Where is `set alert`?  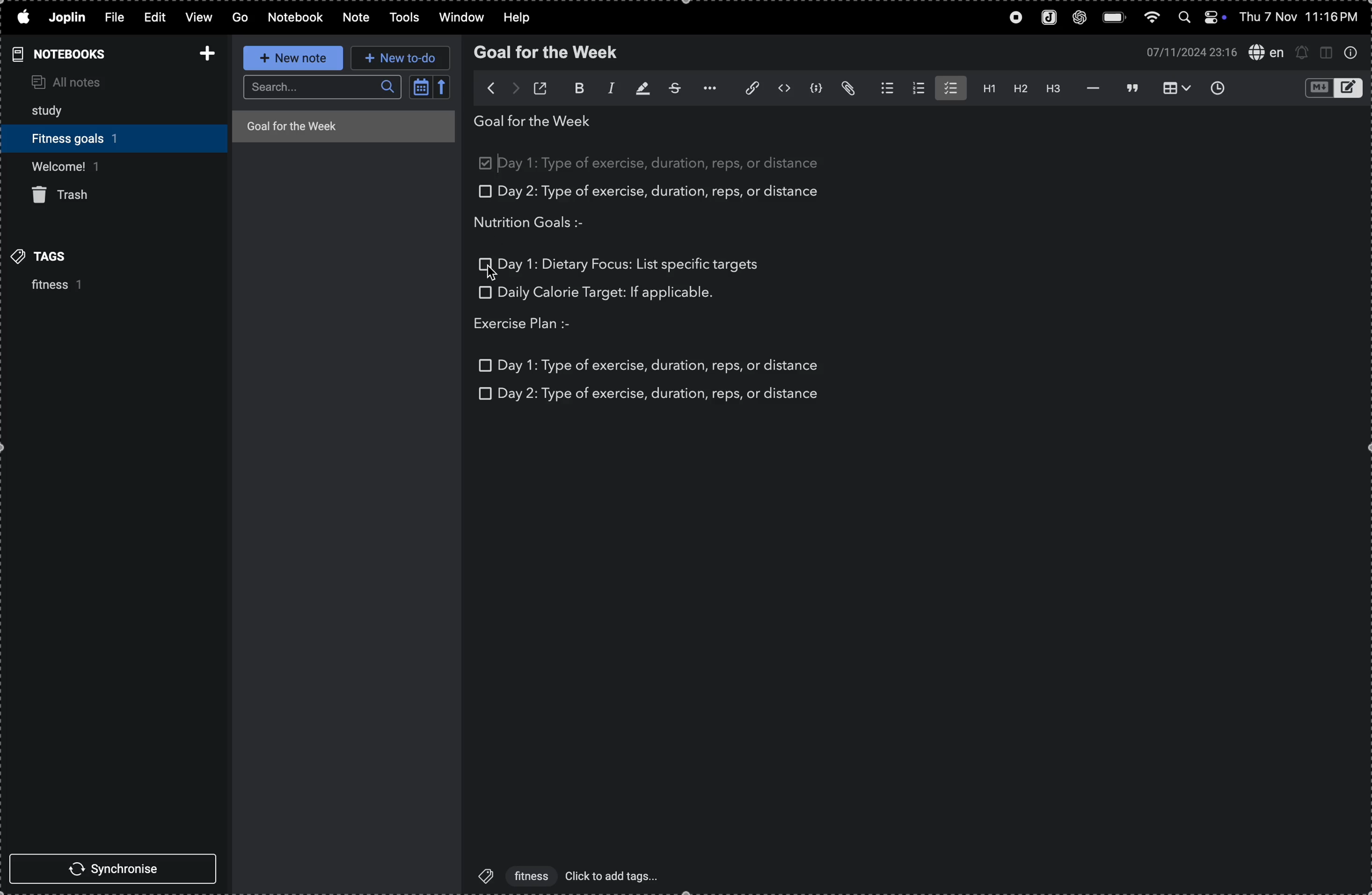 set alert is located at coordinates (1302, 52).